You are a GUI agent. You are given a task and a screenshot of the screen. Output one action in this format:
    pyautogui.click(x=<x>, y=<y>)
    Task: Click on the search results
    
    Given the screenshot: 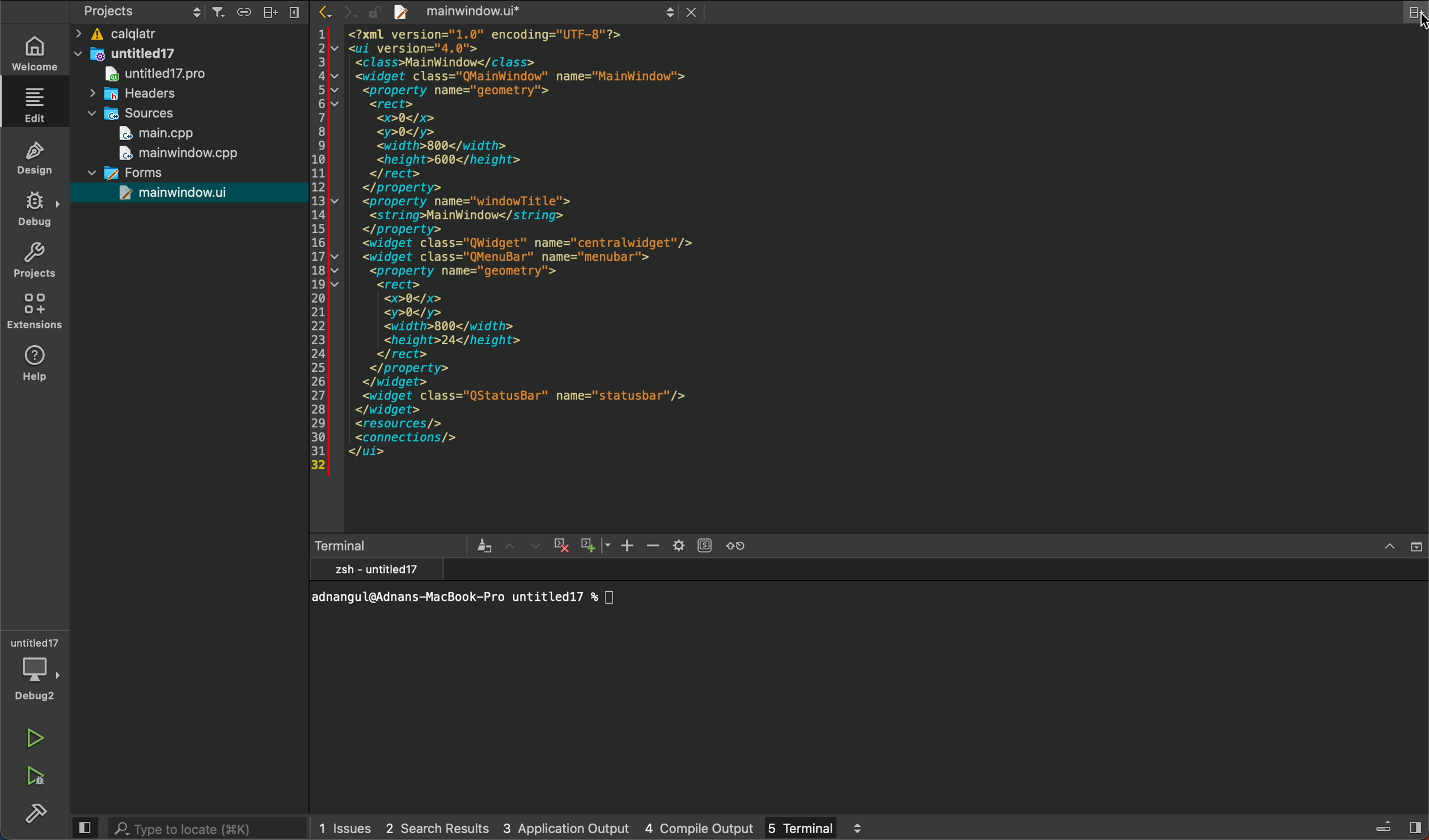 What is the action you would take?
    pyautogui.click(x=437, y=828)
    